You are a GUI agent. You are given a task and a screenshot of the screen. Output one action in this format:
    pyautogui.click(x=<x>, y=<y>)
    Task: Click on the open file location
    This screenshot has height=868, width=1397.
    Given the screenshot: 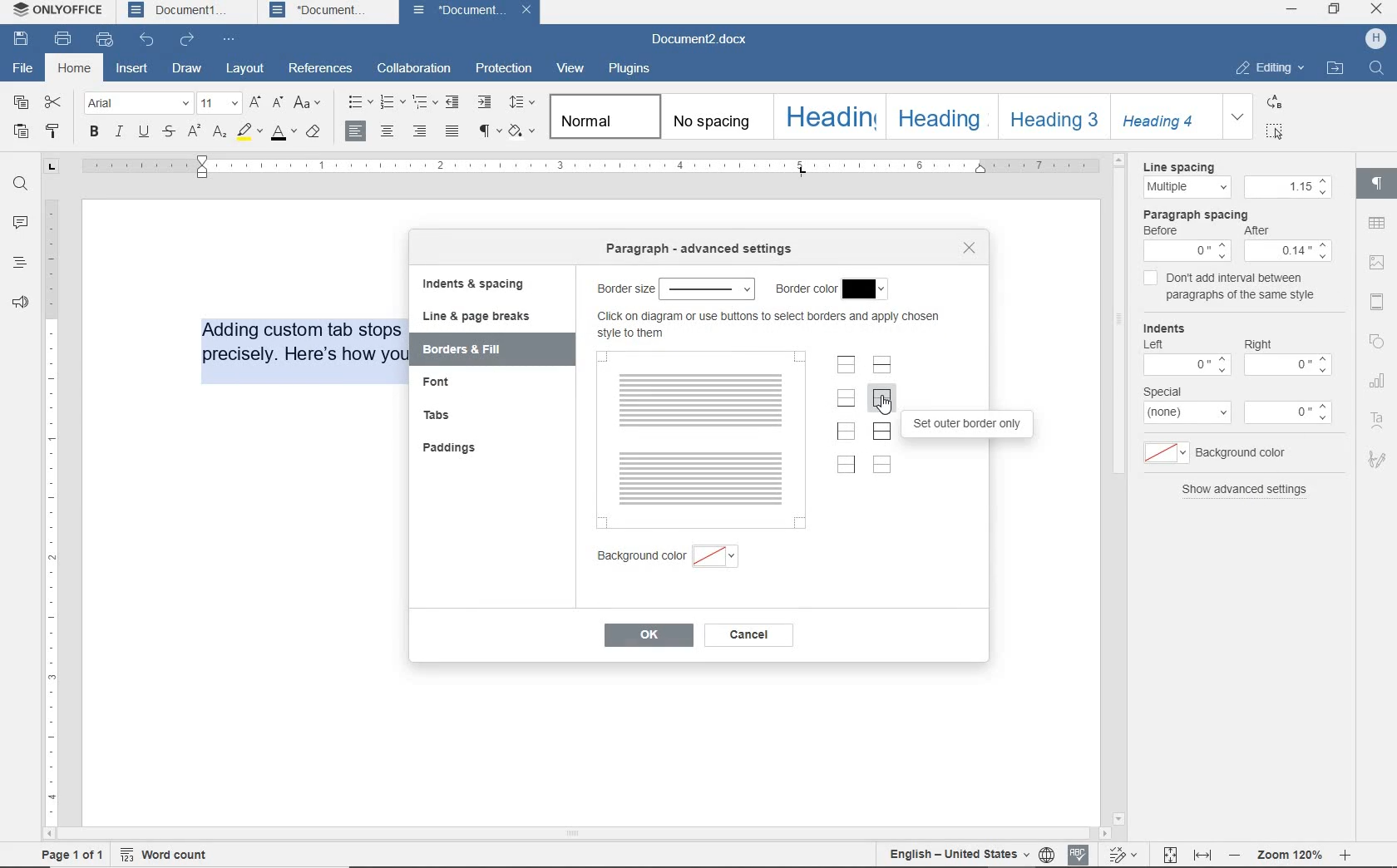 What is the action you would take?
    pyautogui.click(x=1335, y=68)
    